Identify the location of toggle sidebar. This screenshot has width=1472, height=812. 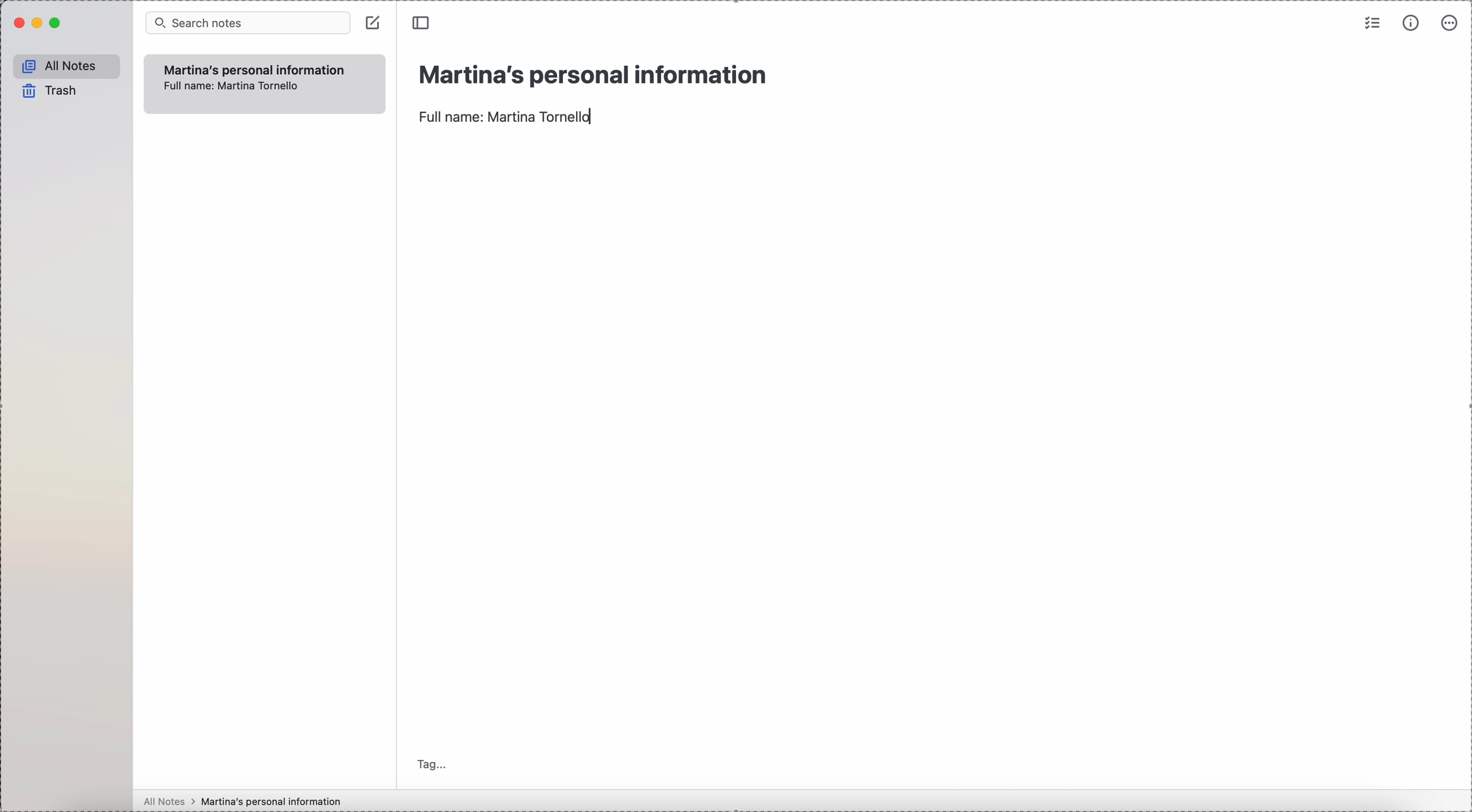
(419, 23).